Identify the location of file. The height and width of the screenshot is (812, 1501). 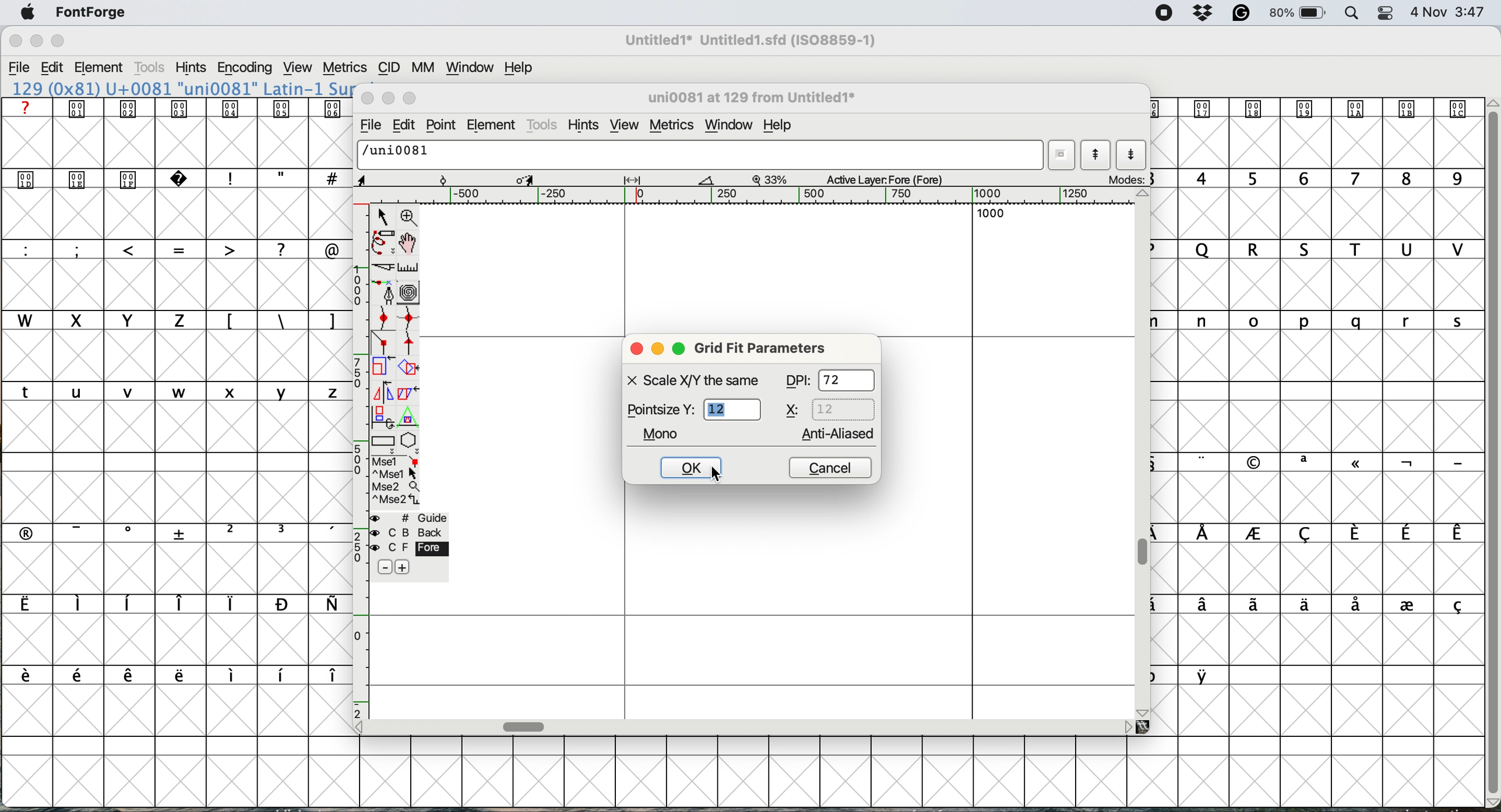
(372, 124).